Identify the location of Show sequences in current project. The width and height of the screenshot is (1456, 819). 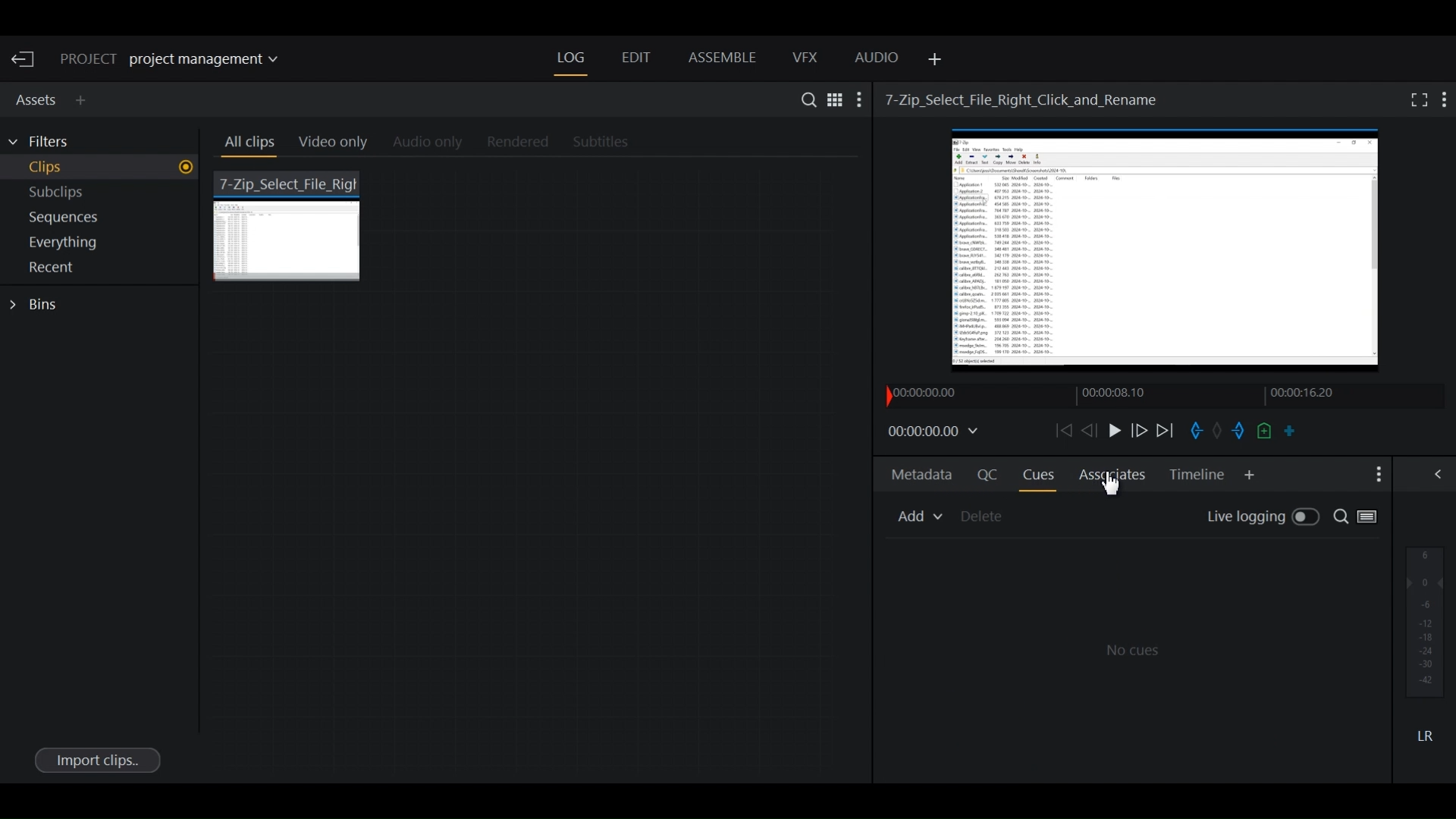
(103, 219).